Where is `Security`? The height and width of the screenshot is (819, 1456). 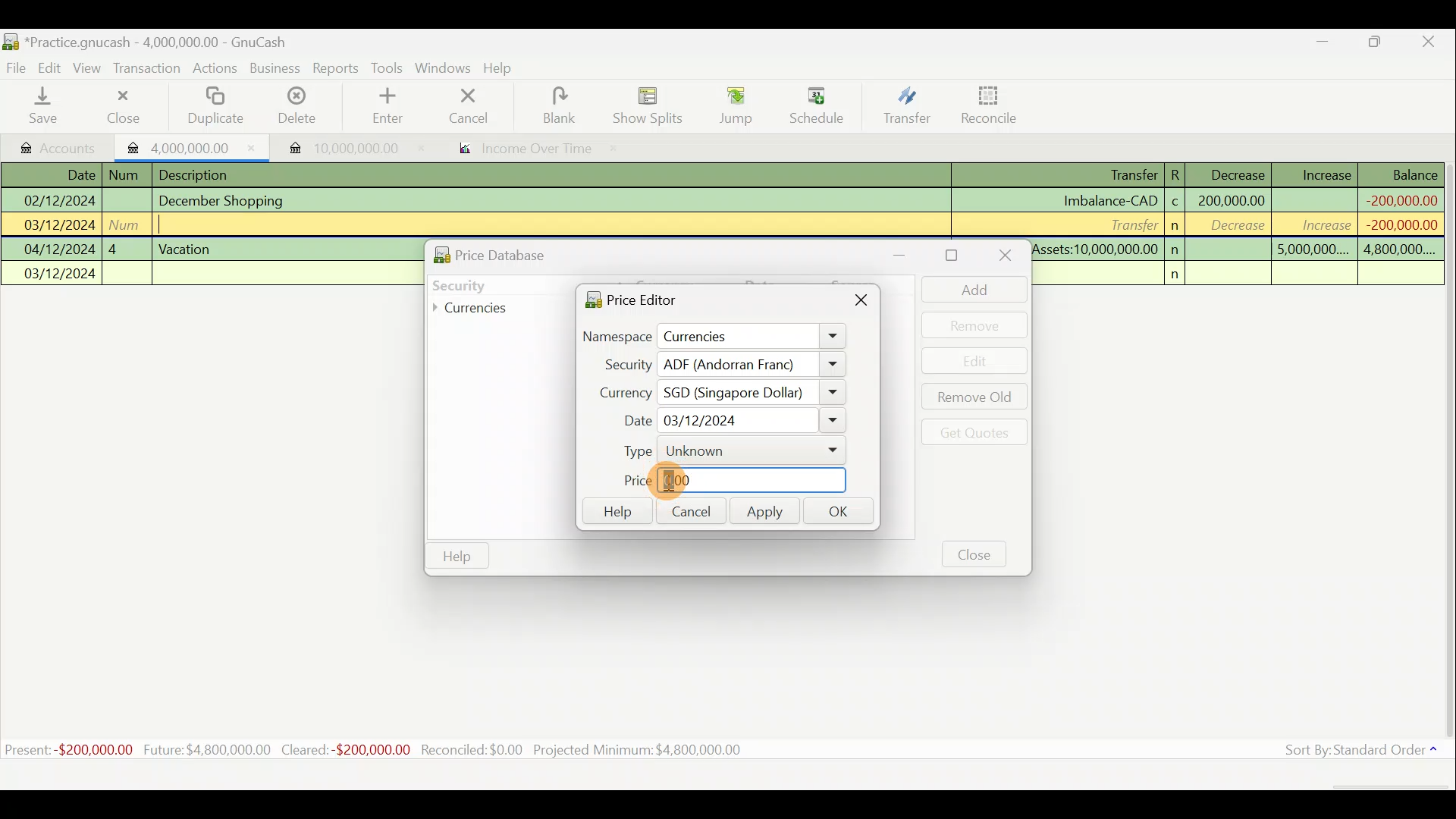
Security is located at coordinates (490, 284).